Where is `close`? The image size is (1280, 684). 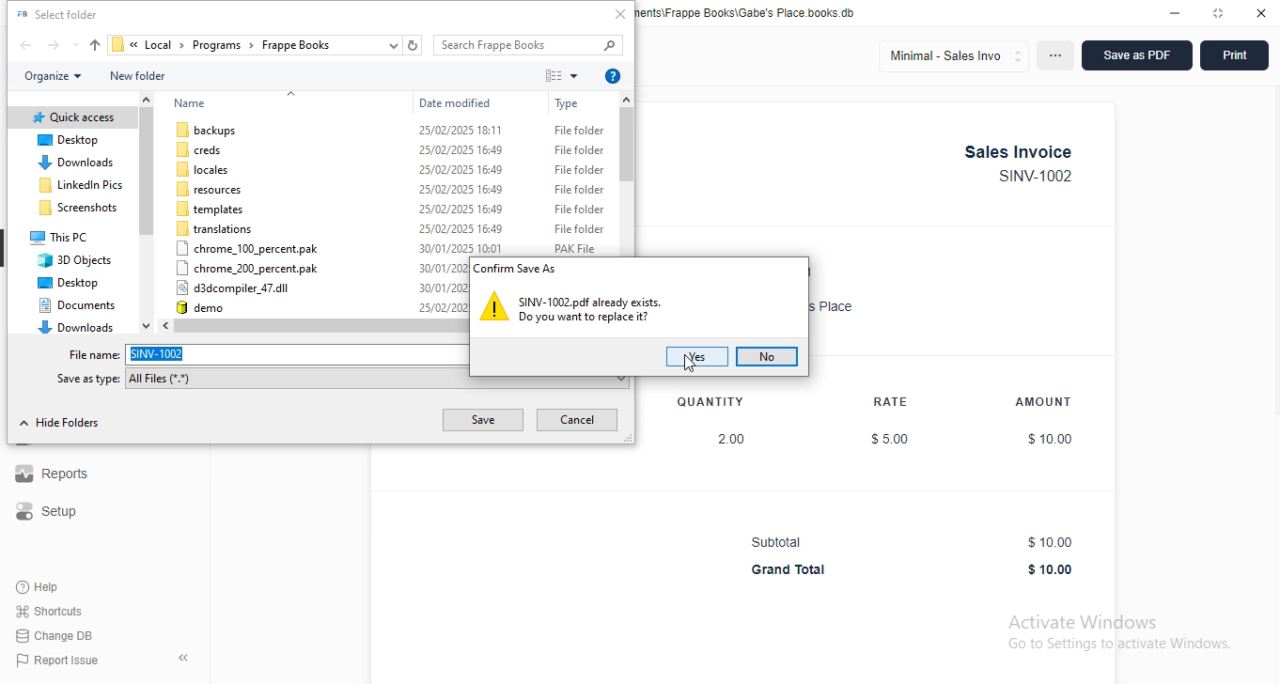
close is located at coordinates (1260, 12).